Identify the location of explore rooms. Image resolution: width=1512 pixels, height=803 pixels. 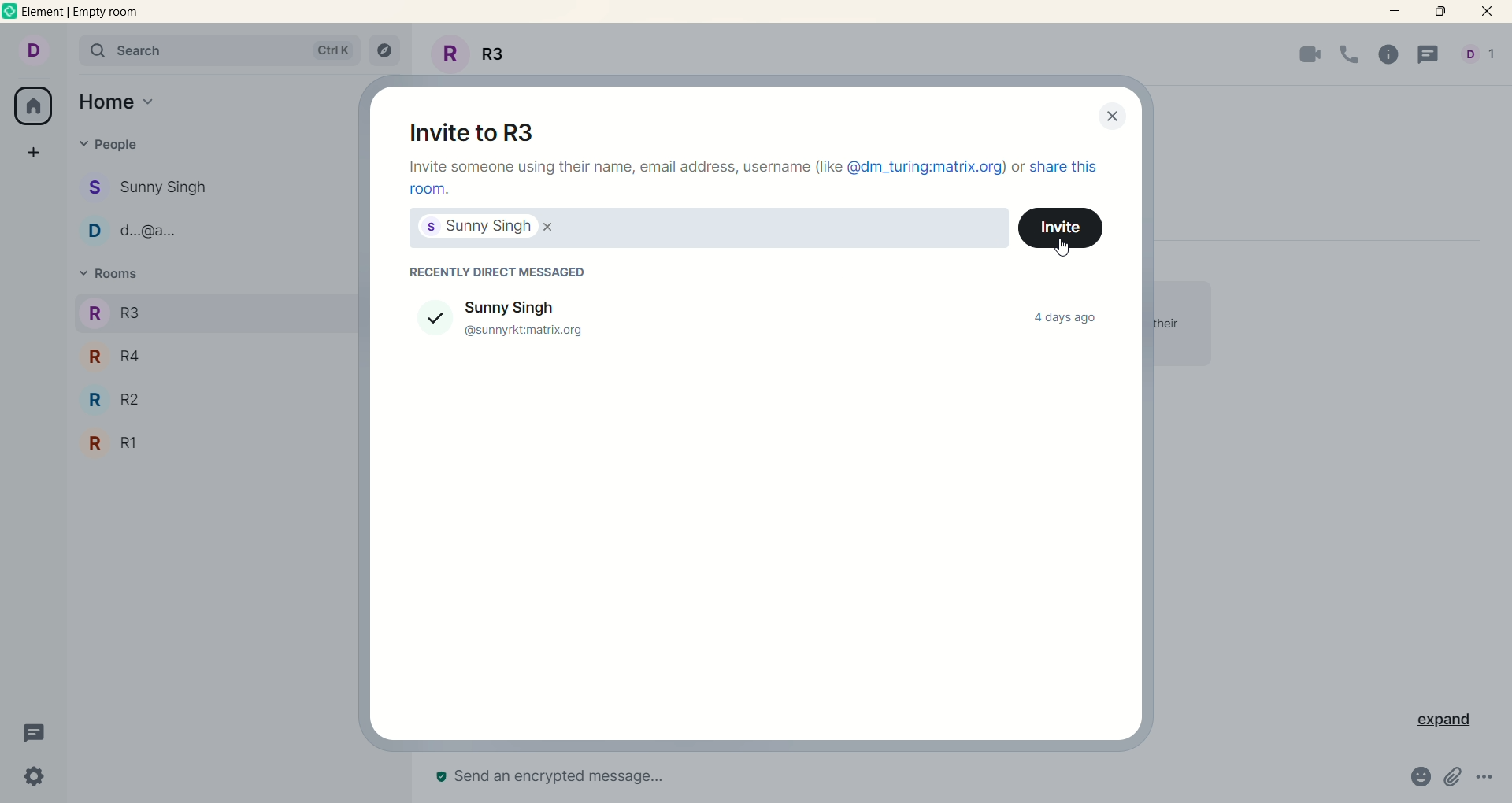
(387, 52).